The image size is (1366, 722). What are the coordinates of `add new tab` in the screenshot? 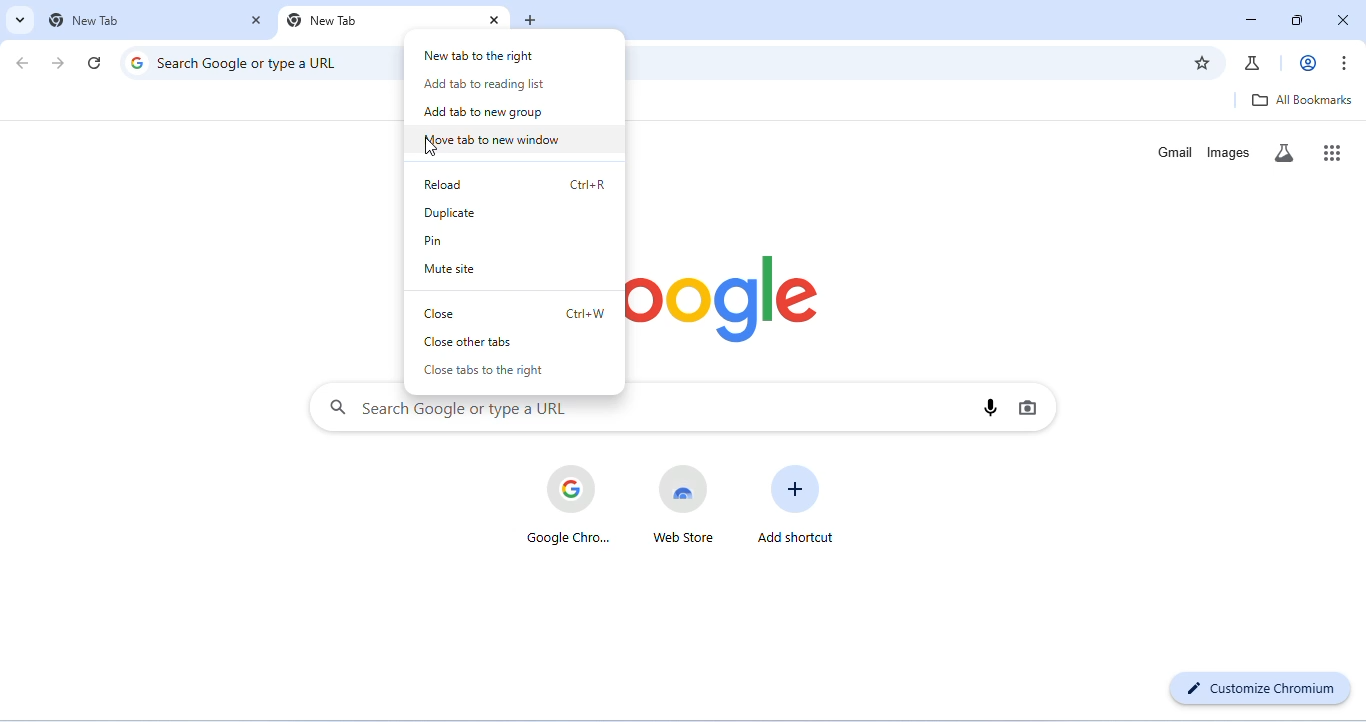 It's located at (534, 21).